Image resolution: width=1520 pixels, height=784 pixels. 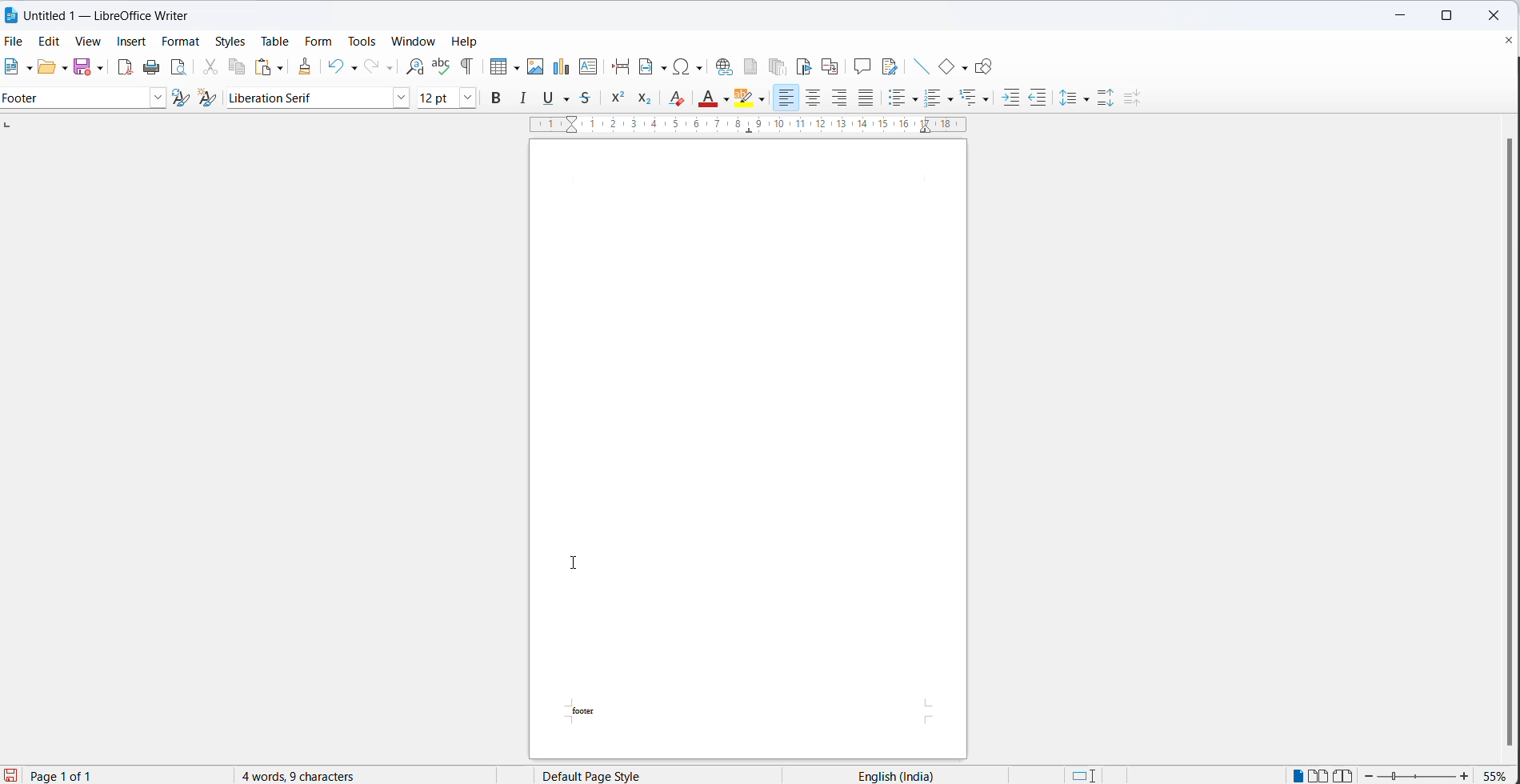 What do you see at coordinates (180, 41) in the screenshot?
I see `format` at bounding box center [180, 41].